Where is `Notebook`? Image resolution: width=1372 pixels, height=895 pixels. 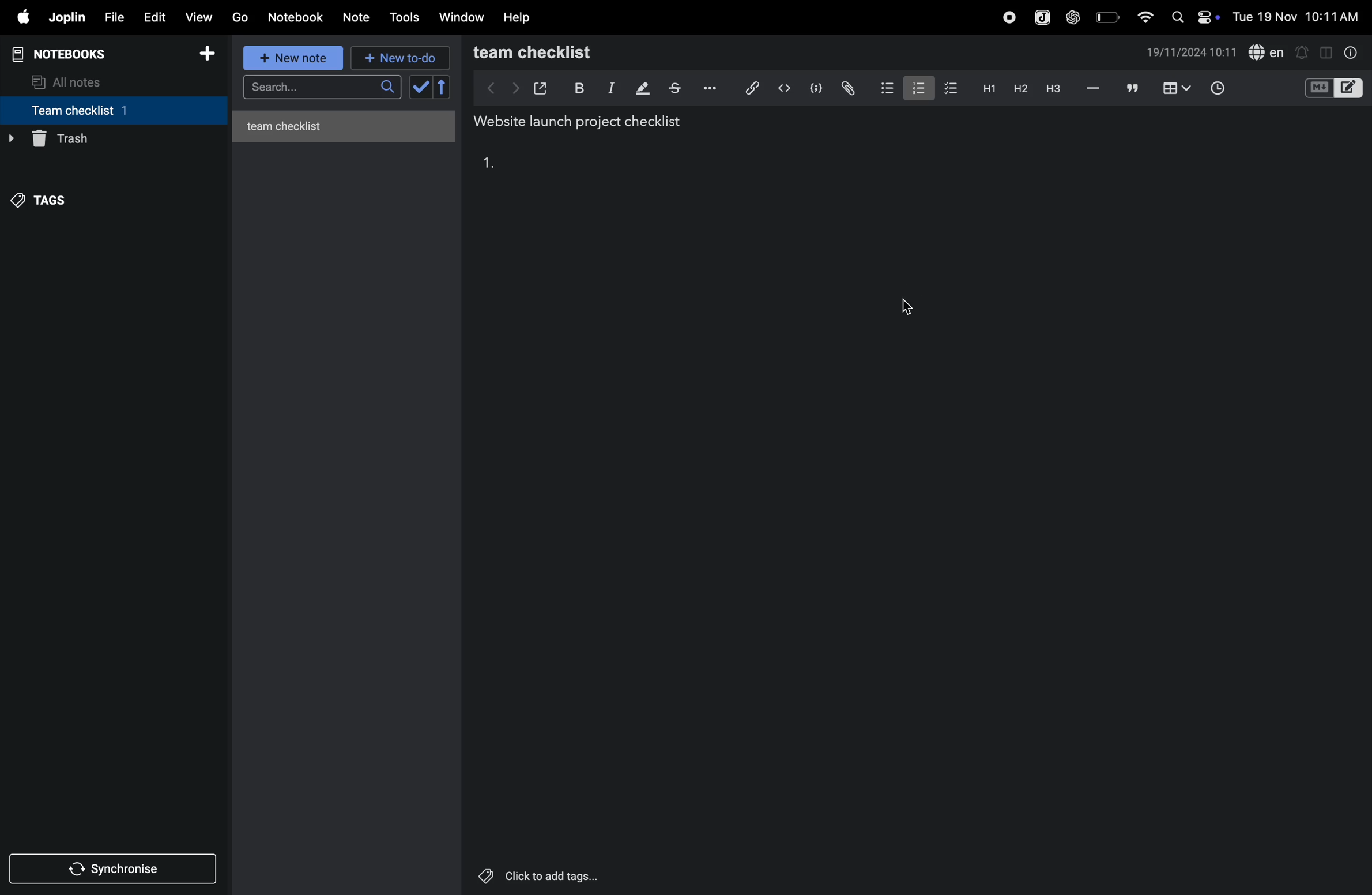 Notebook is located at coordinates (299, 17).